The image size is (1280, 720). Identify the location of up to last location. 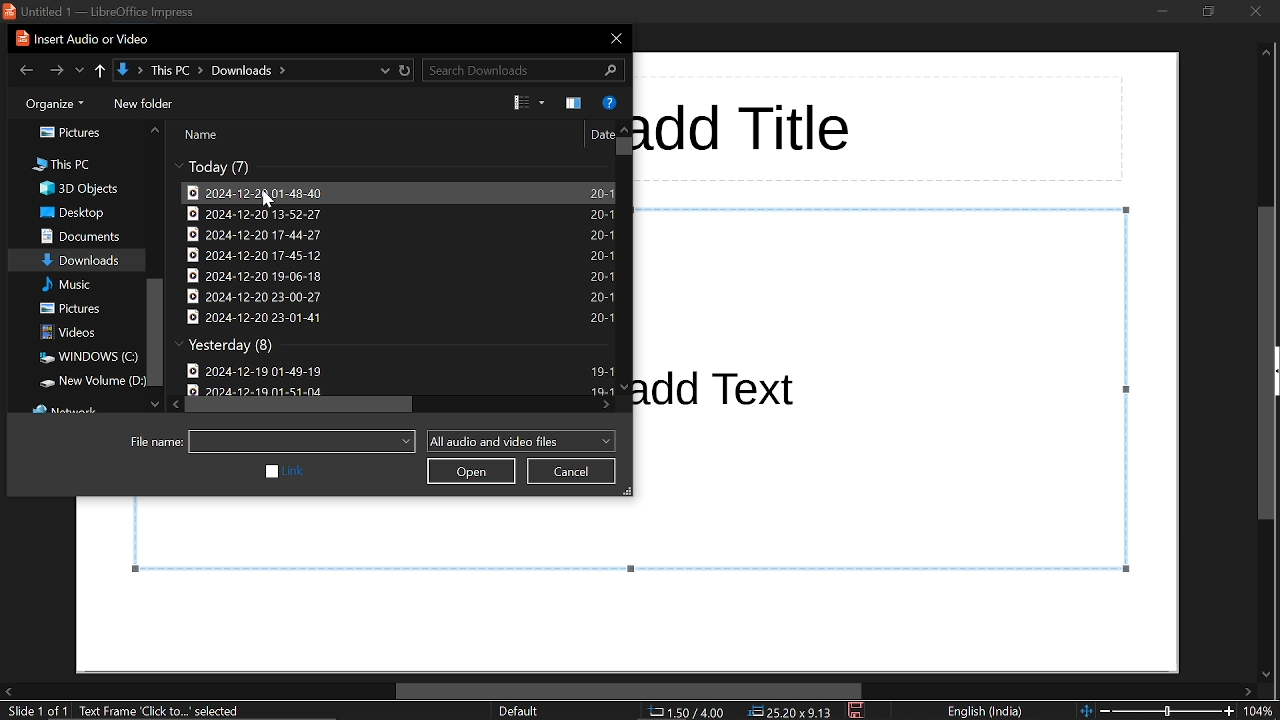
(100, 69).